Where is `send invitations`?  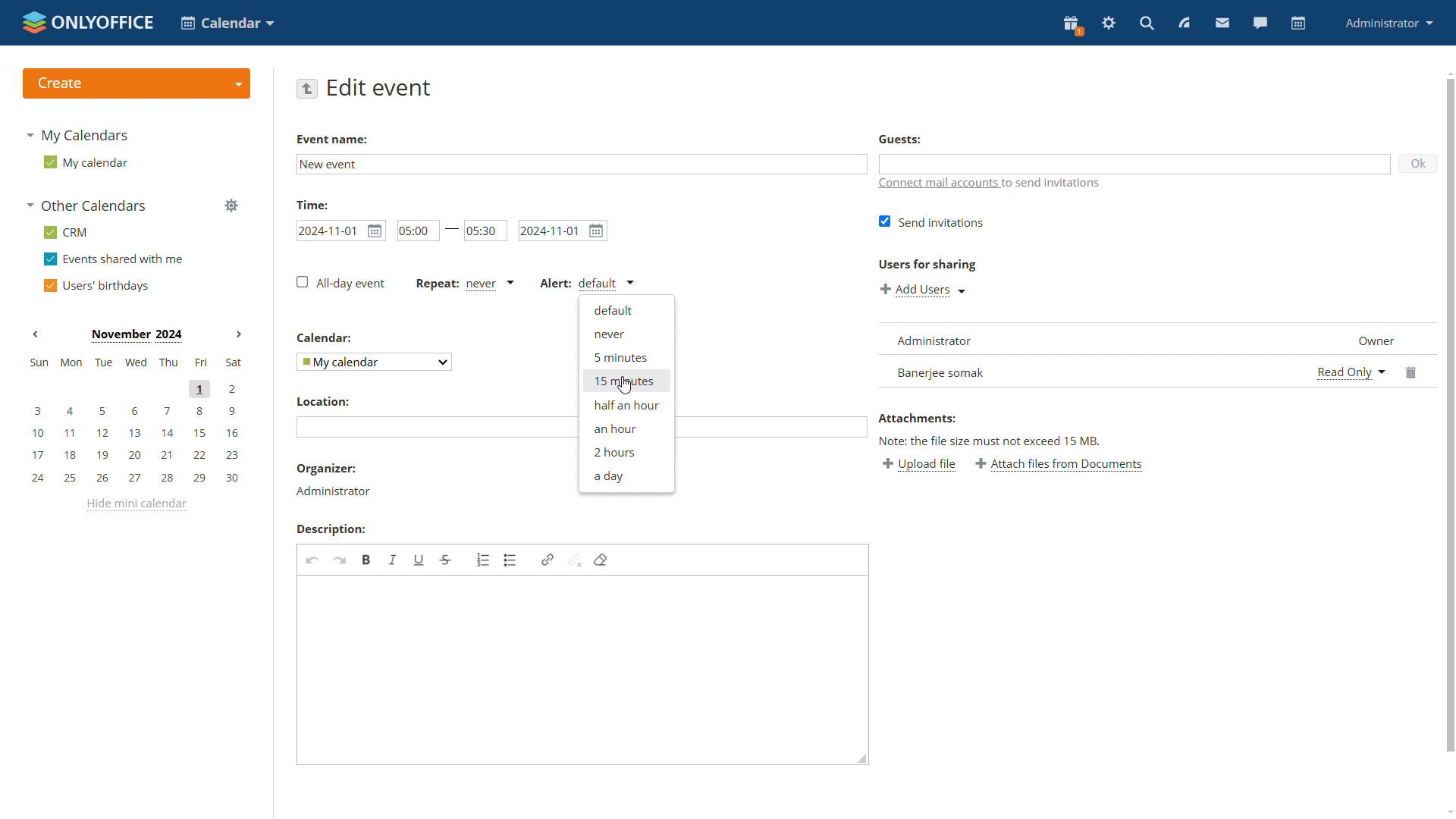
send invitations is located at coordinates (934, 221).